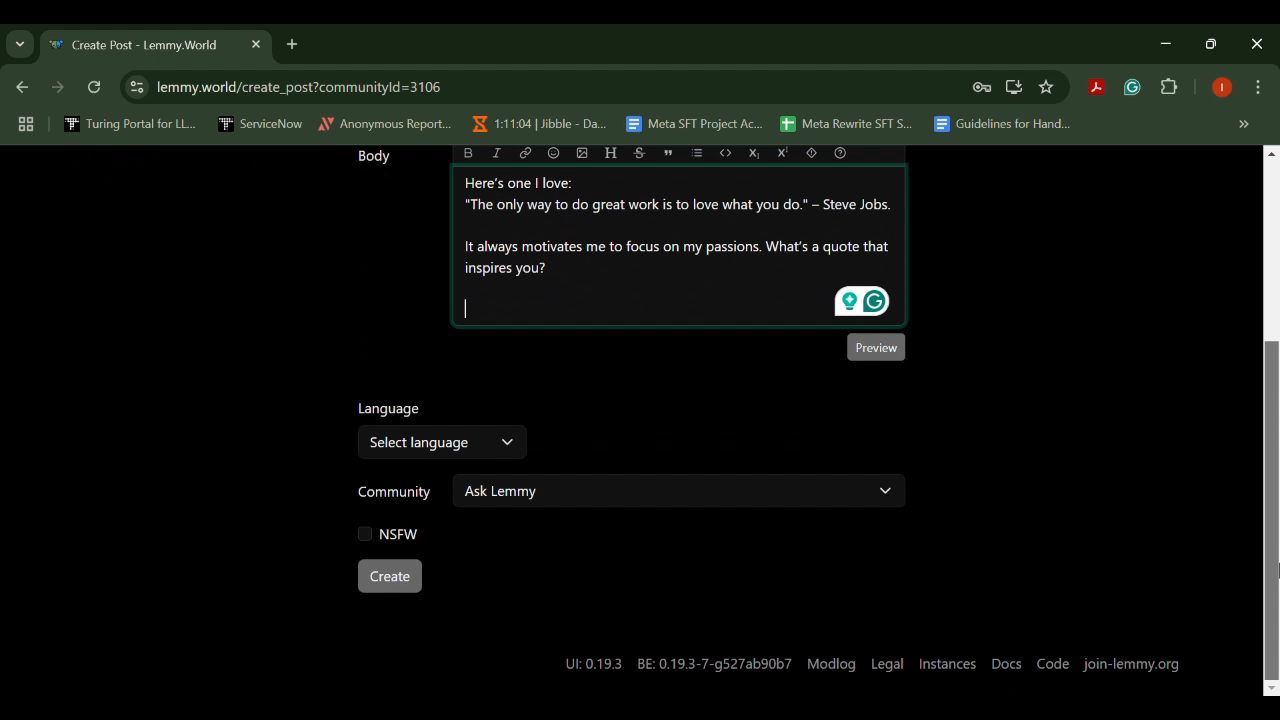 This screenshot has width=1280, height=720. What do you see at coordinates (1130, 88) in the screenshot?
I see `Grammarly Extension` at bounding box center [1130, 88].